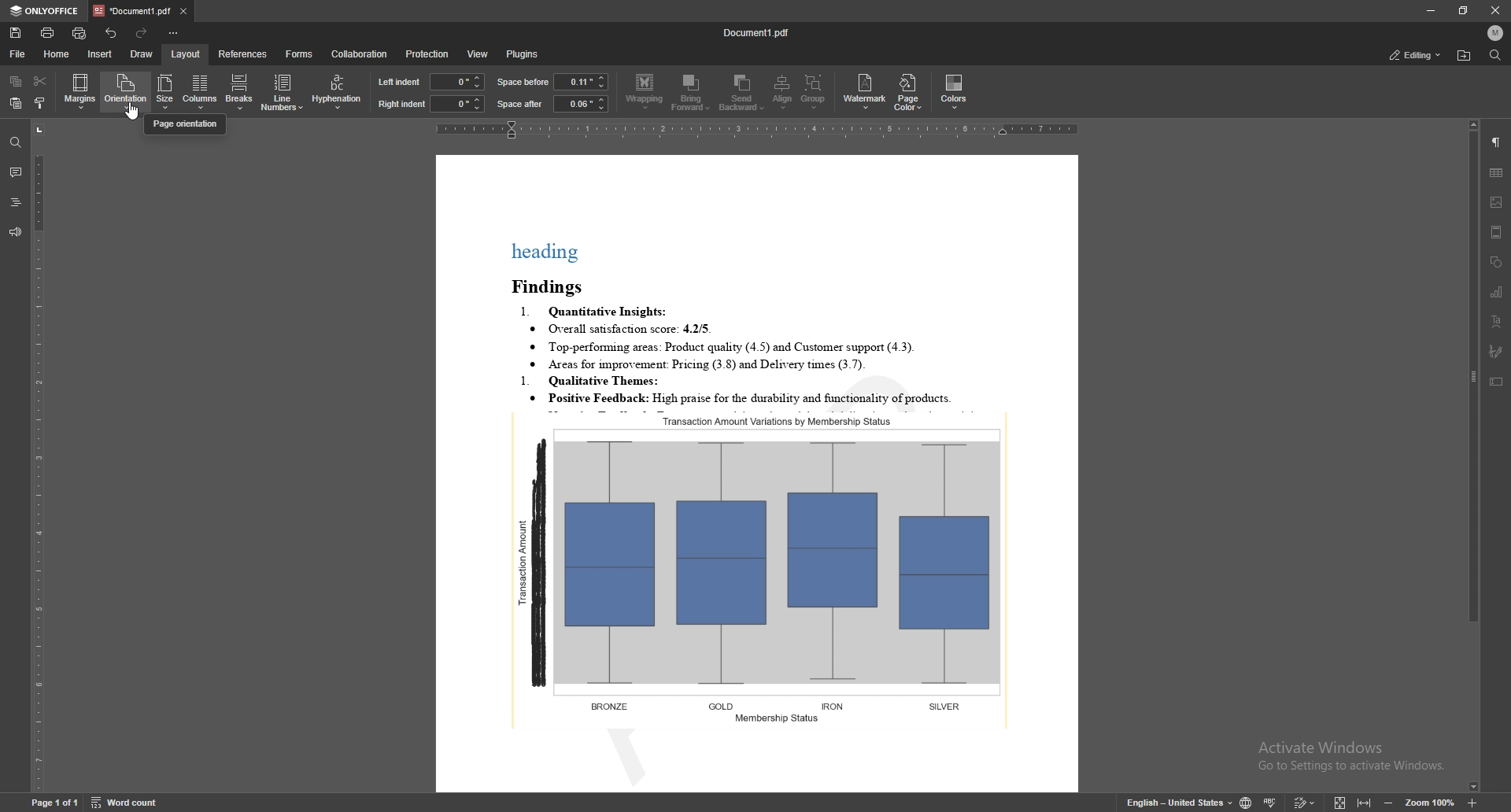 This screenshot has height=812, width=1511. What do you see at coordinates (20, 54) in the screenshot?
I see `file` at bounding box center [20, 54].